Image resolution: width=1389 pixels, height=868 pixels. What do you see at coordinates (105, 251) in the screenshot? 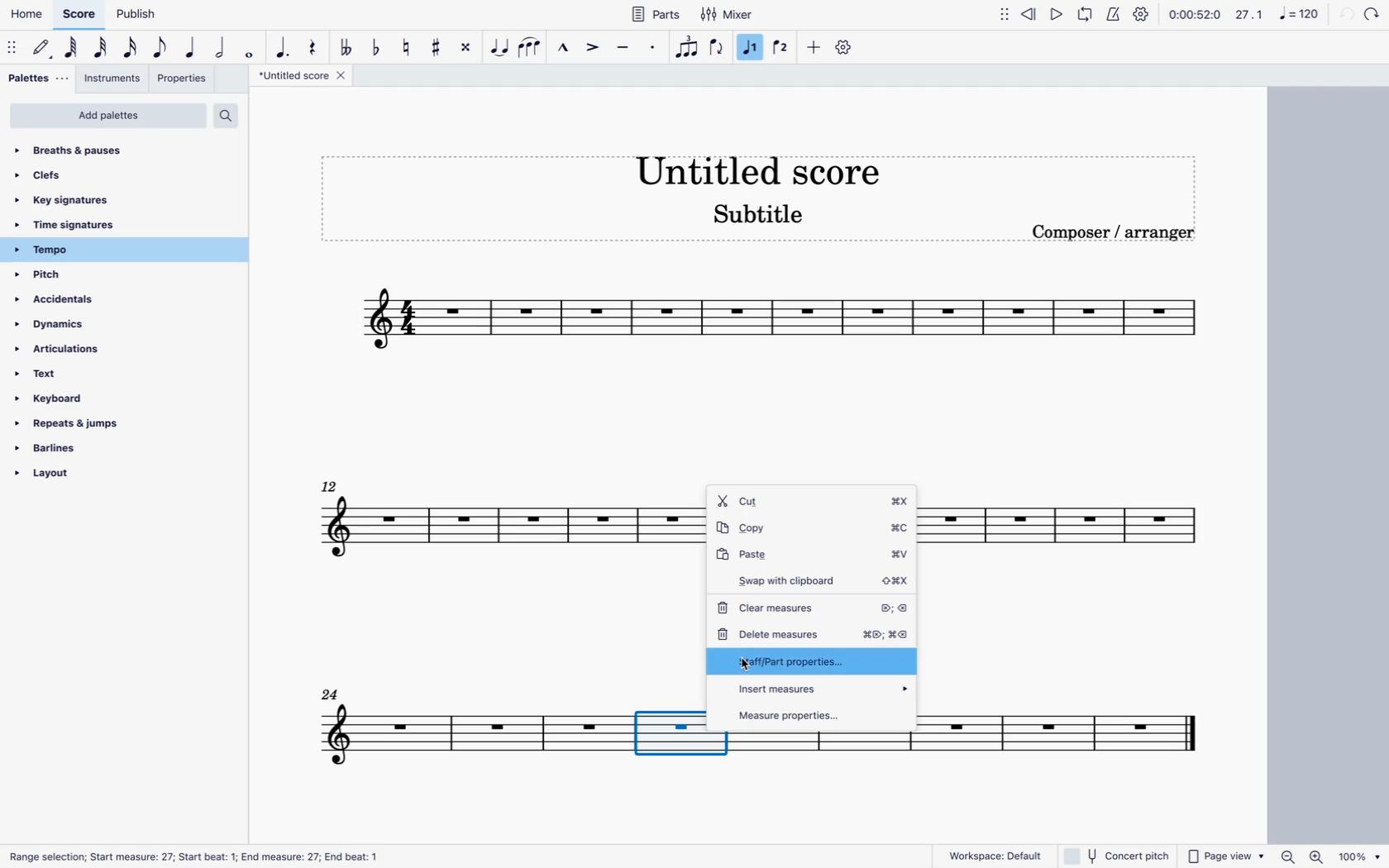
I see `tempo` at bounding box center [105, 251].